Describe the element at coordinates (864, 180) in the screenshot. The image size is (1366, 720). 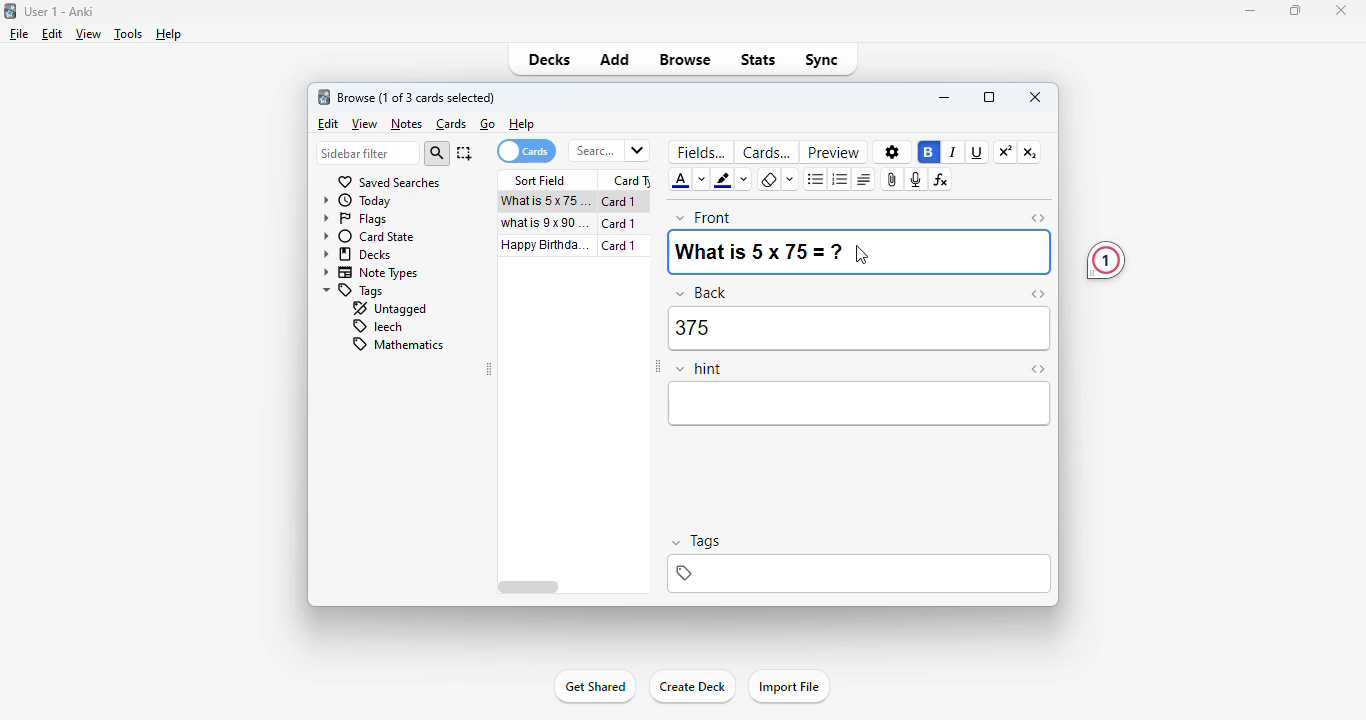
I see `alignment` at that location.